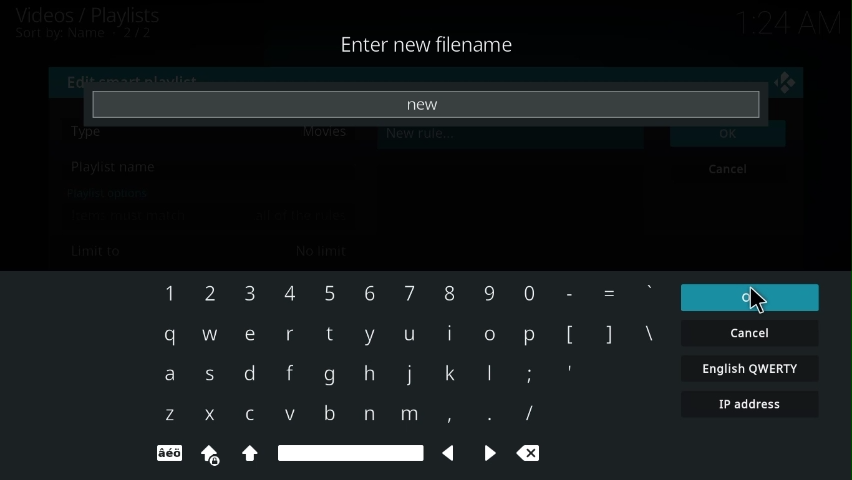  I want to click on ip address, so click(751, 405).